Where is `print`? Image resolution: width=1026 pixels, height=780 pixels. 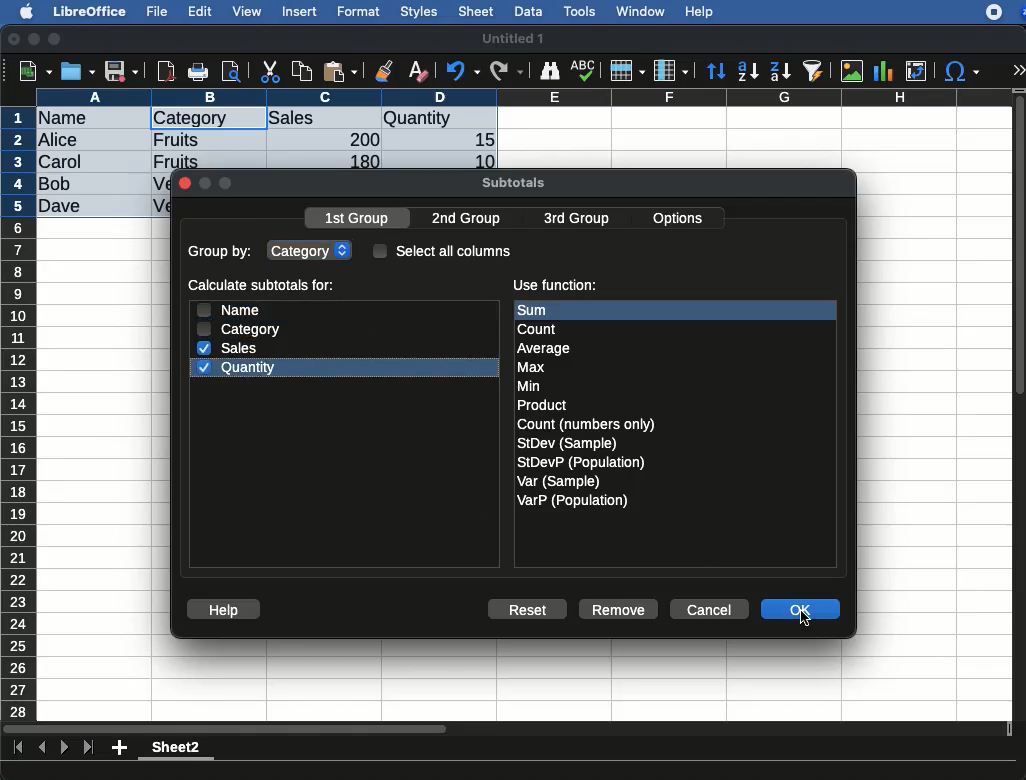
print is located at coordinates (198, 72).